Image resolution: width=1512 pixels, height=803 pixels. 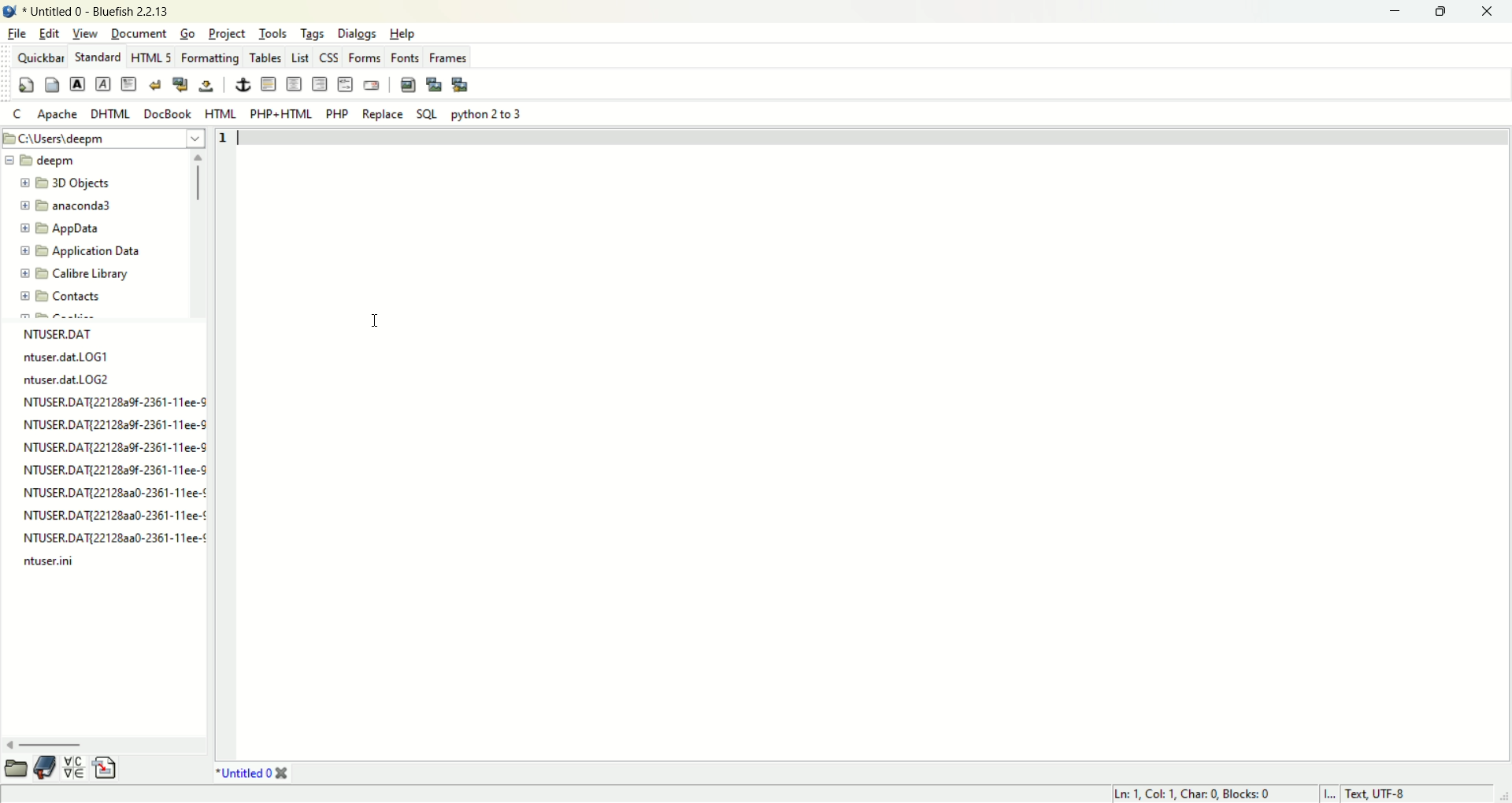 What do you see at coordinates (67, 357) in the screenshot?
I see `ntuser.dat.LOG1` at bounding box center [67, 357].